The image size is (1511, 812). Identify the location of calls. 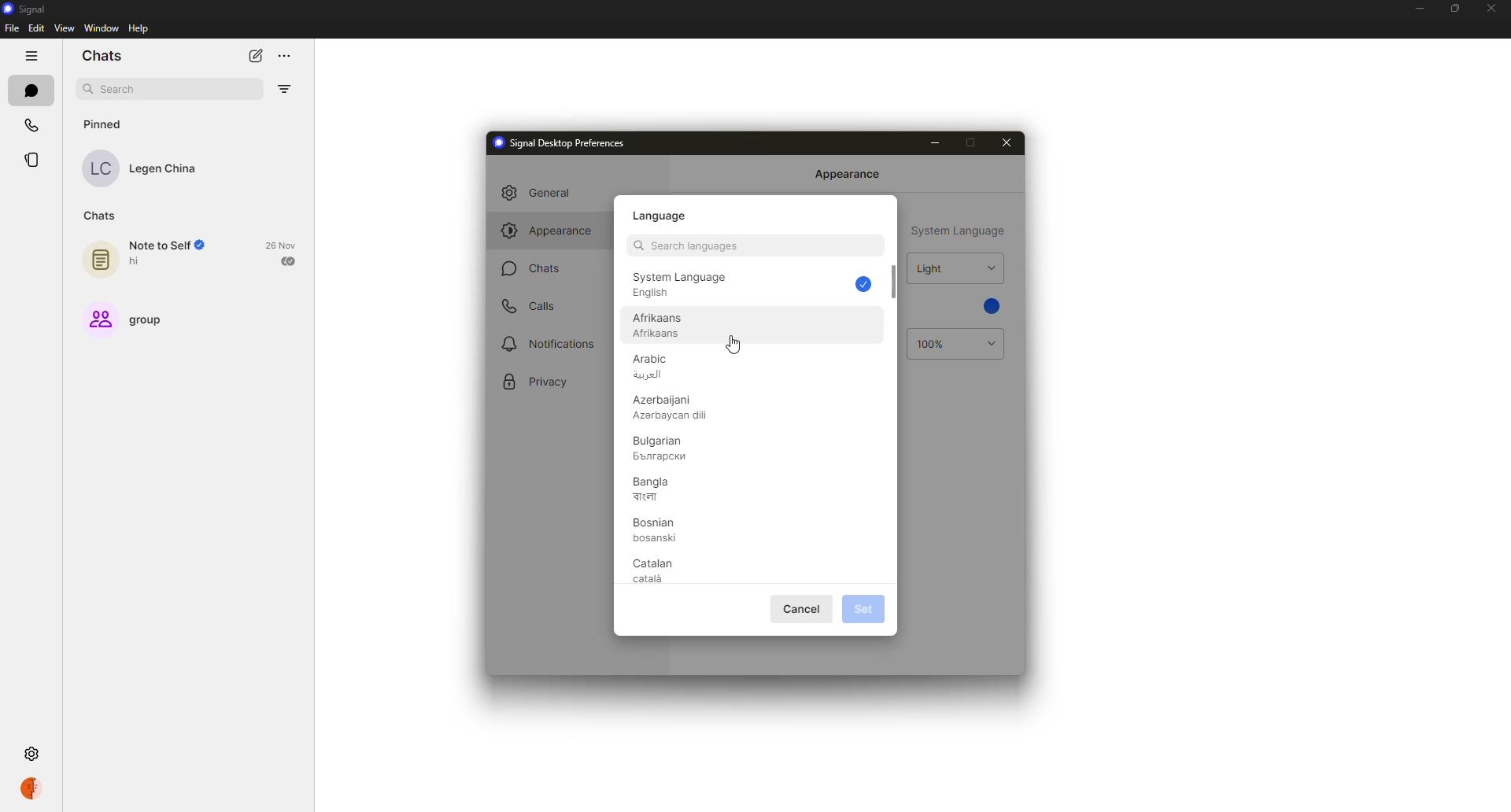
(33, 124).